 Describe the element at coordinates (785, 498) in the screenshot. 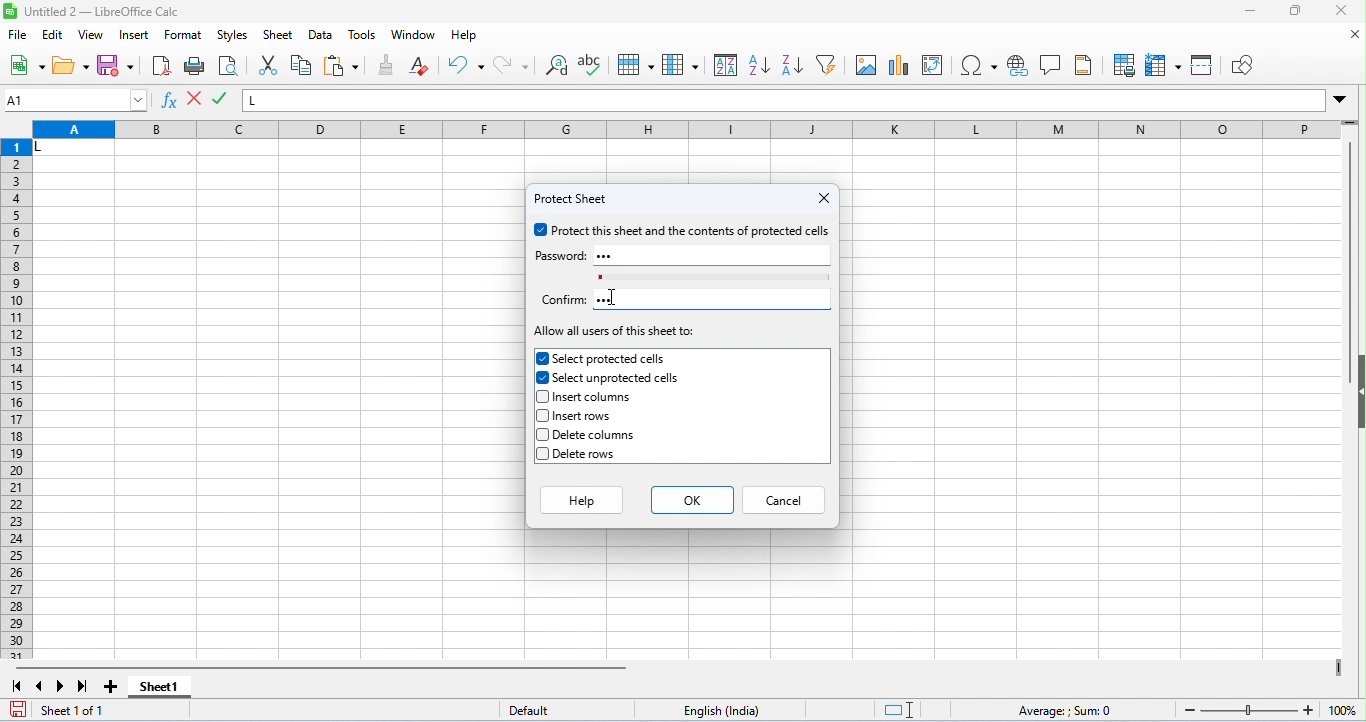

I see `cancel` at that location.